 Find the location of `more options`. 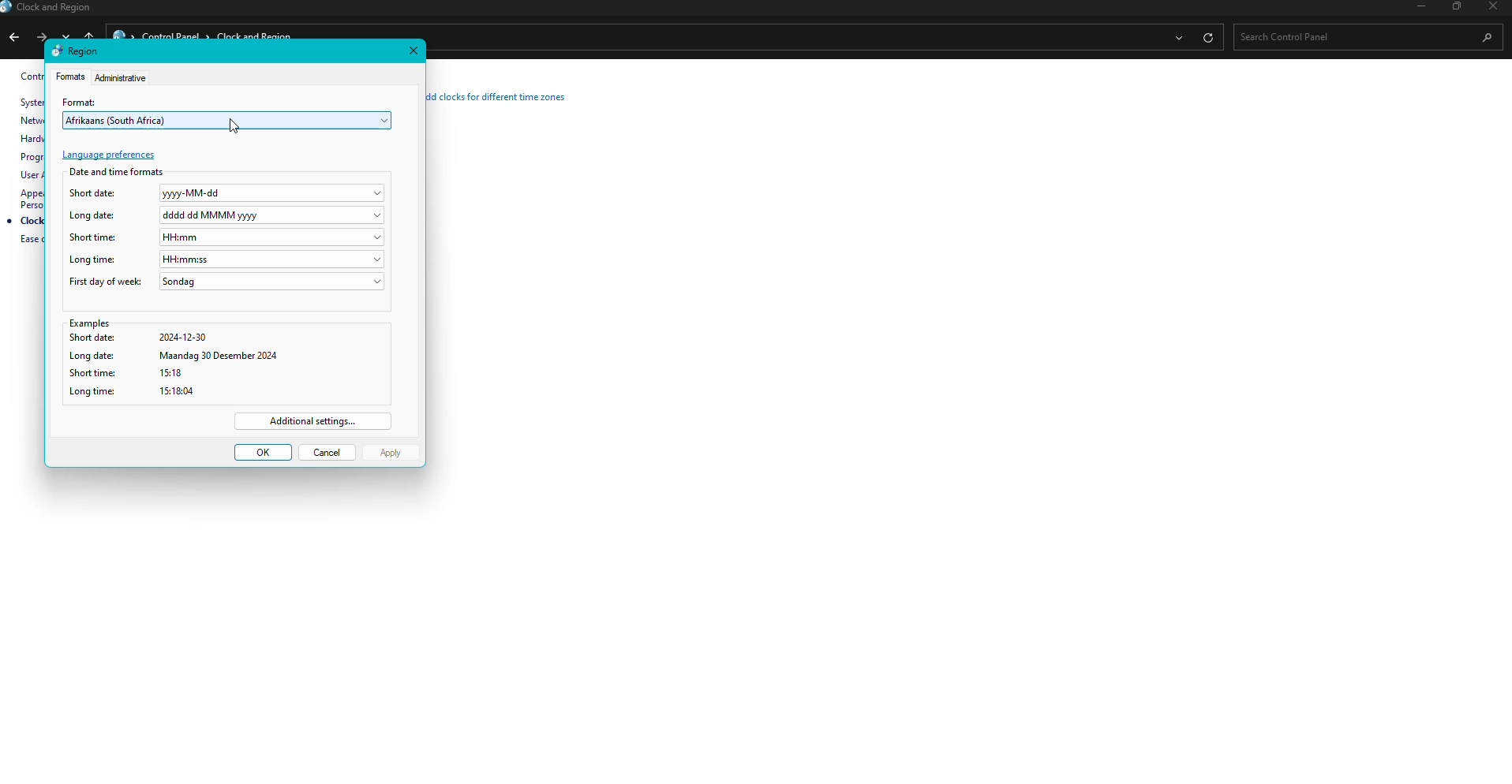

more options is located at coordinates (1177, 39).